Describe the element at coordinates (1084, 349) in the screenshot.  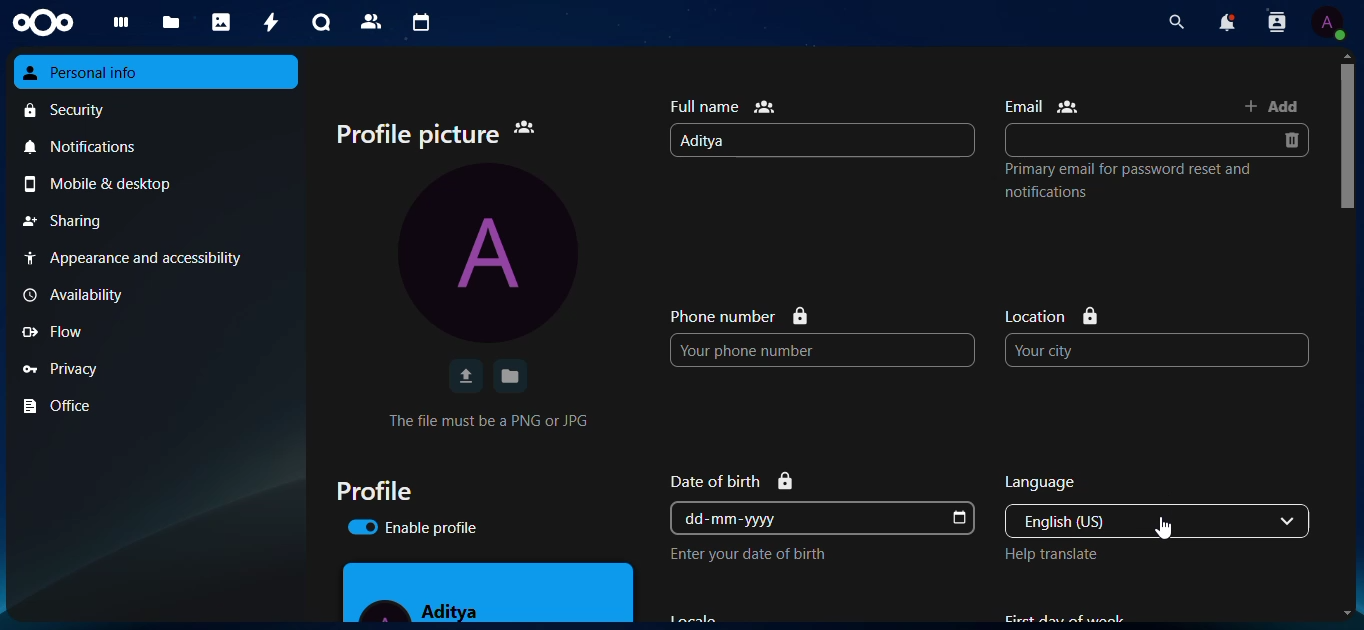
I see `city` at that location.